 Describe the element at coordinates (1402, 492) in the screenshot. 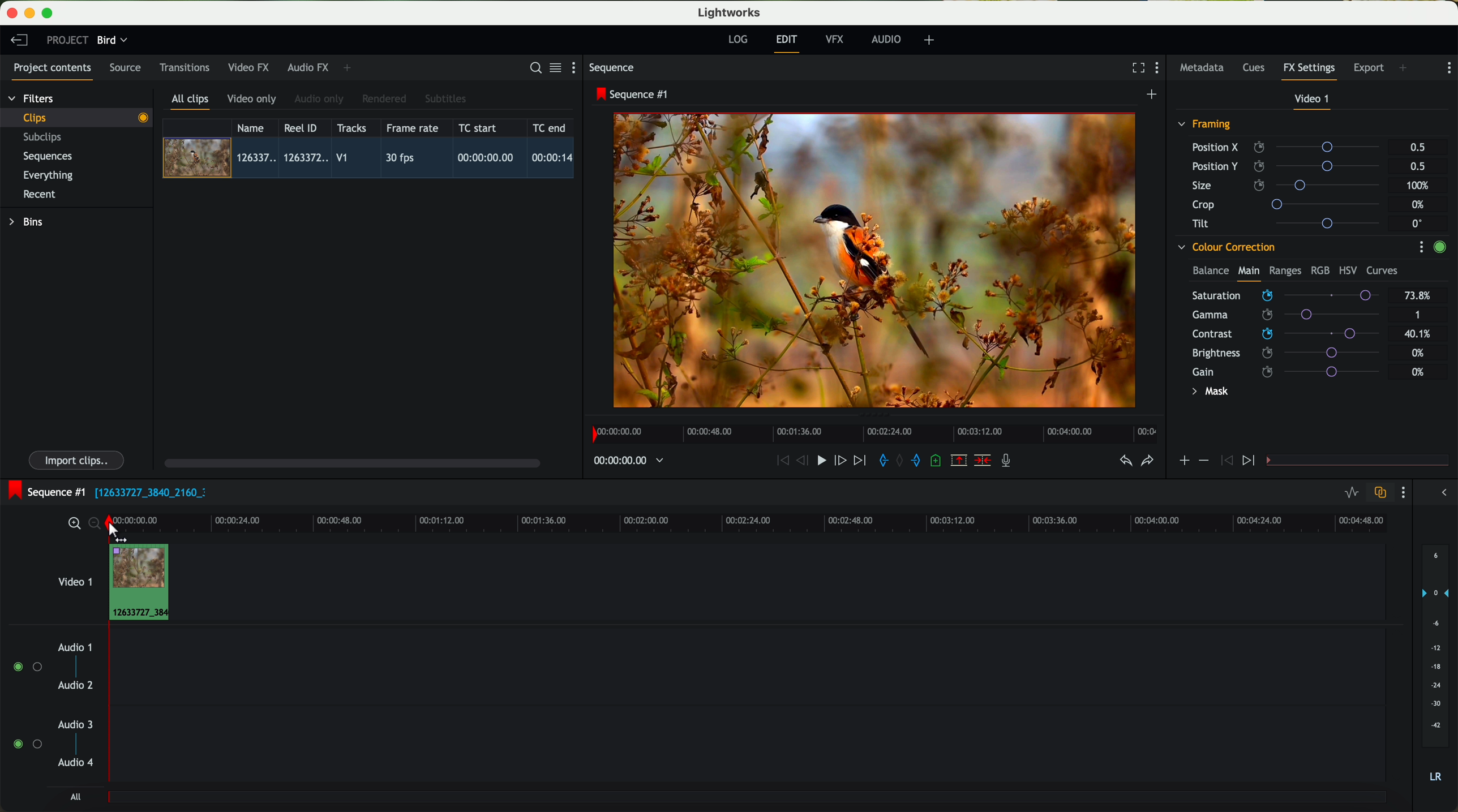

I see `show settings menu` at that location.